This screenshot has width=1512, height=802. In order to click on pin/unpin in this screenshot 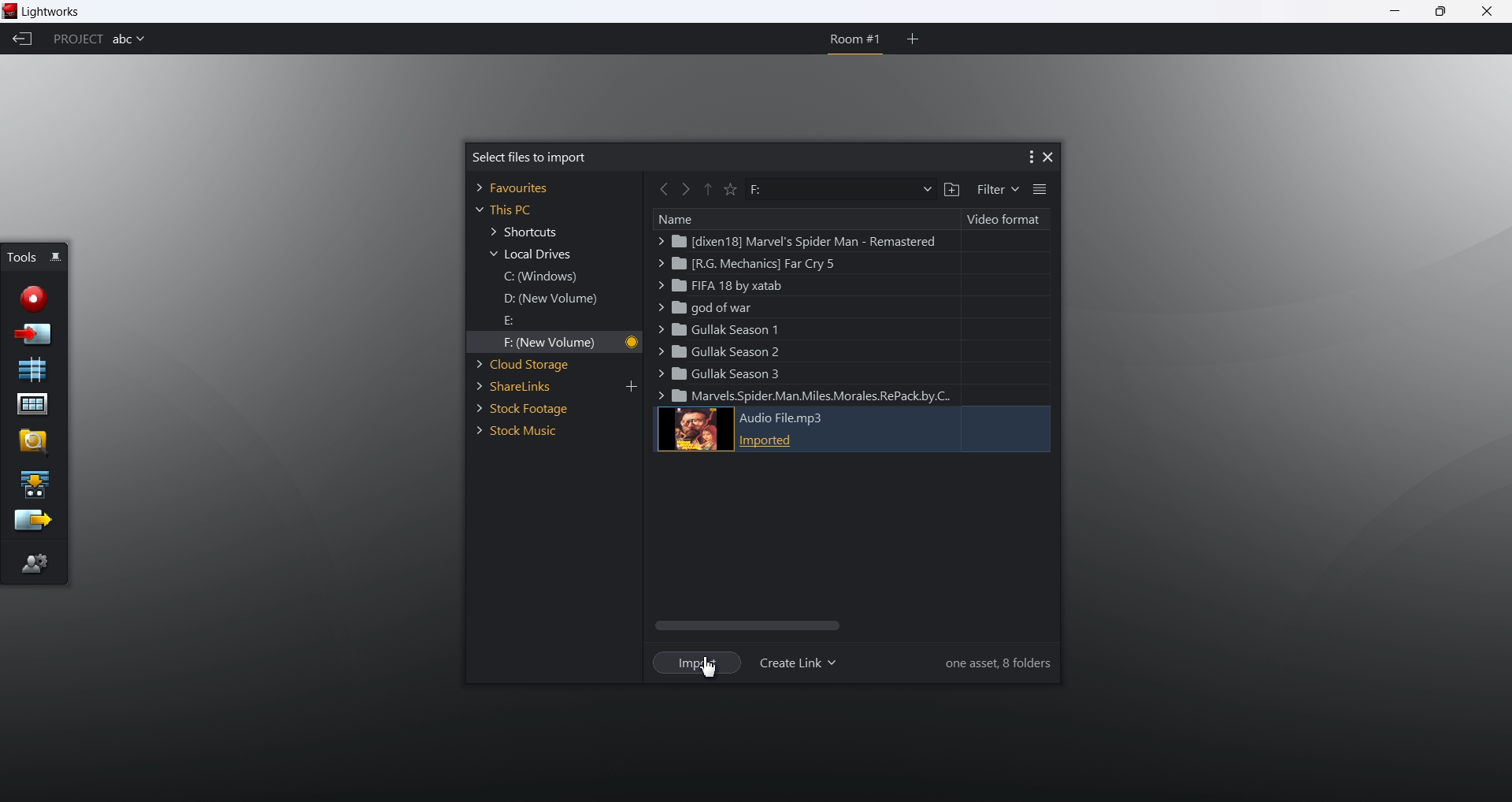, I will do `click(59, 258)`.